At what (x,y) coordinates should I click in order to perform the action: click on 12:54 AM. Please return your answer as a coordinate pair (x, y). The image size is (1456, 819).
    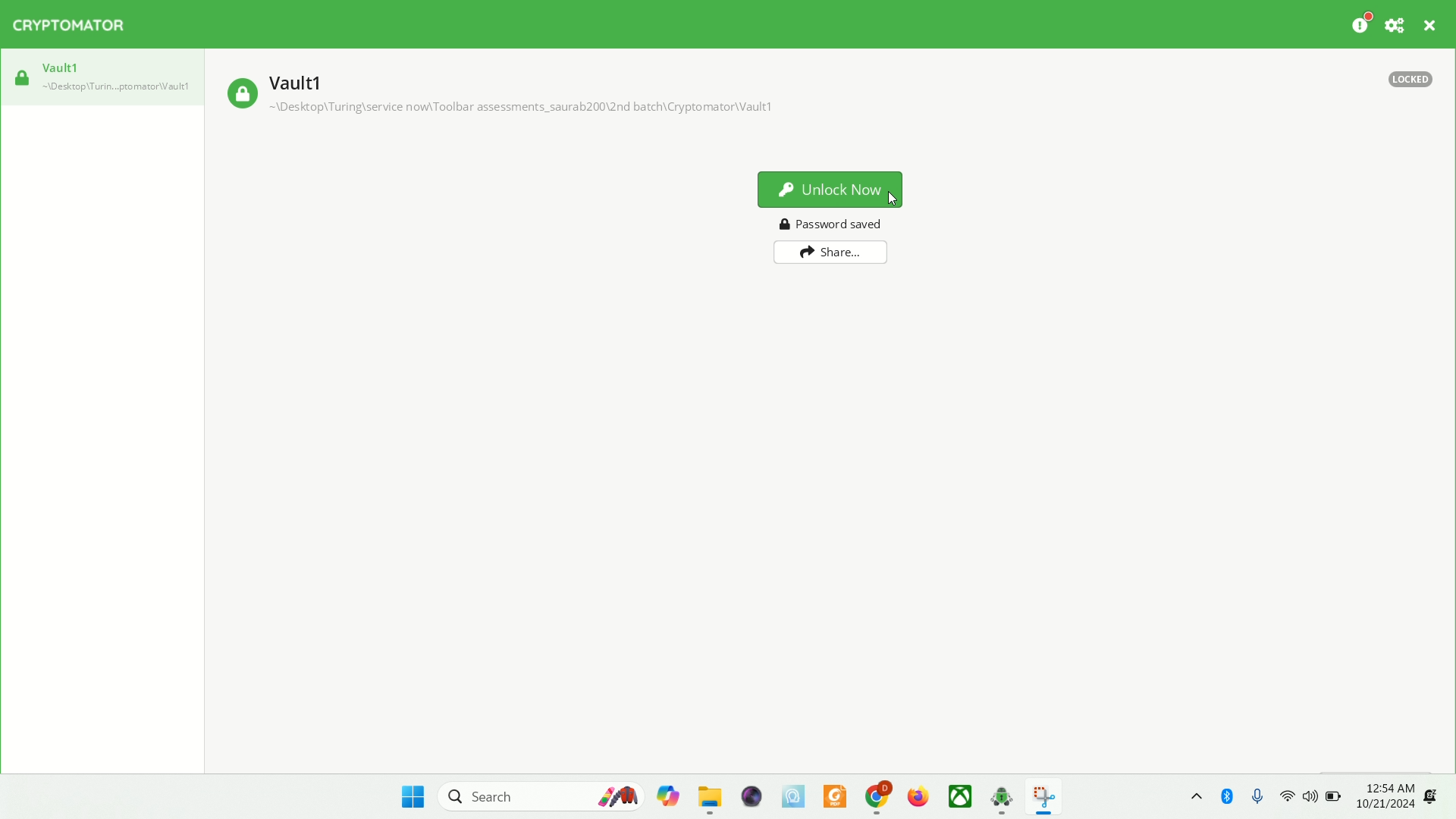
    Looking at the image, I should click on (1387, 786).